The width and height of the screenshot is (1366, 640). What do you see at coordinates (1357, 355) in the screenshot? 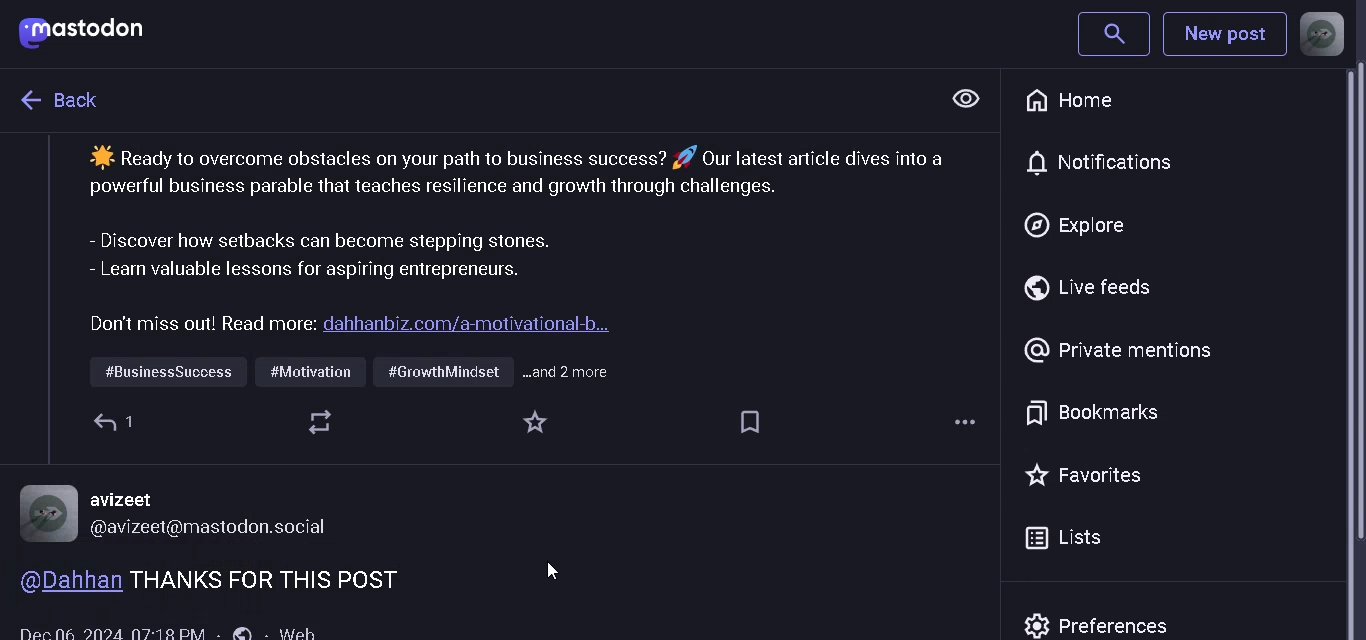
I see `Scrollbar` at bounding box center [1357, 355].